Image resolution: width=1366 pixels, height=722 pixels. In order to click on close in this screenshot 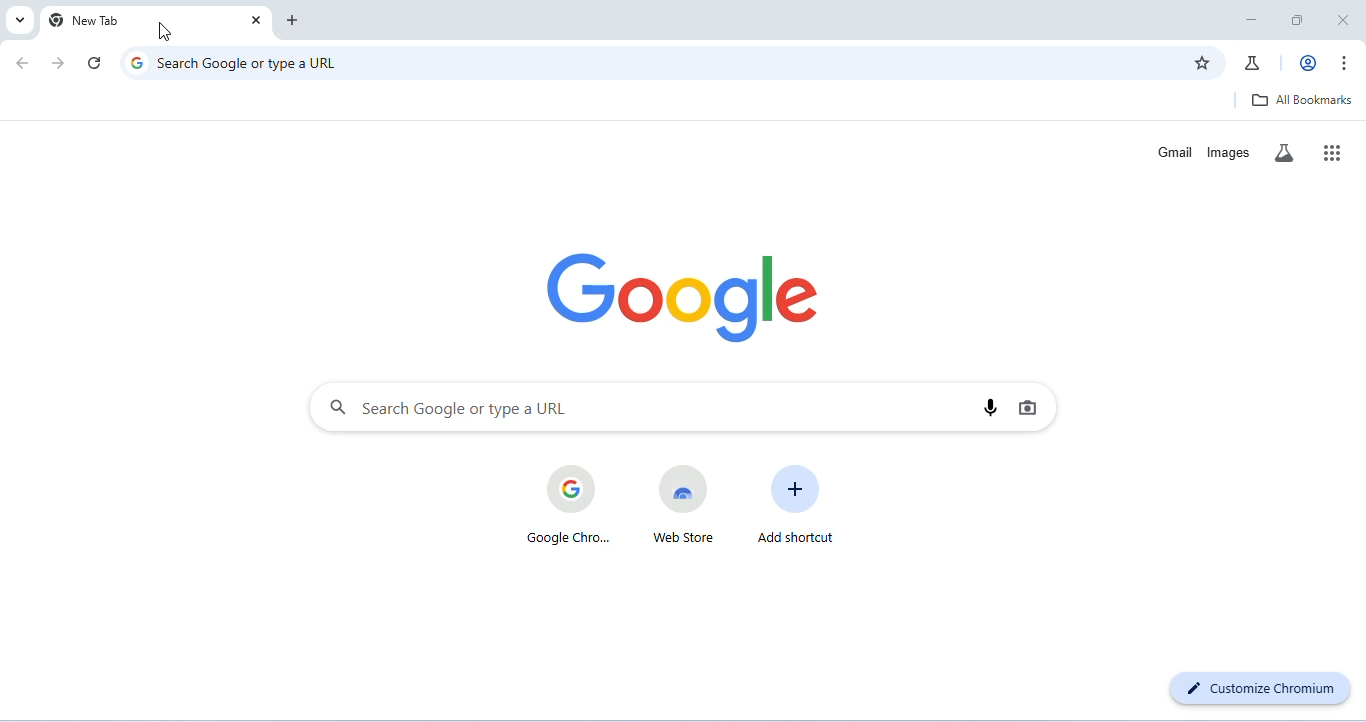, I will do `click(254, 22)`.